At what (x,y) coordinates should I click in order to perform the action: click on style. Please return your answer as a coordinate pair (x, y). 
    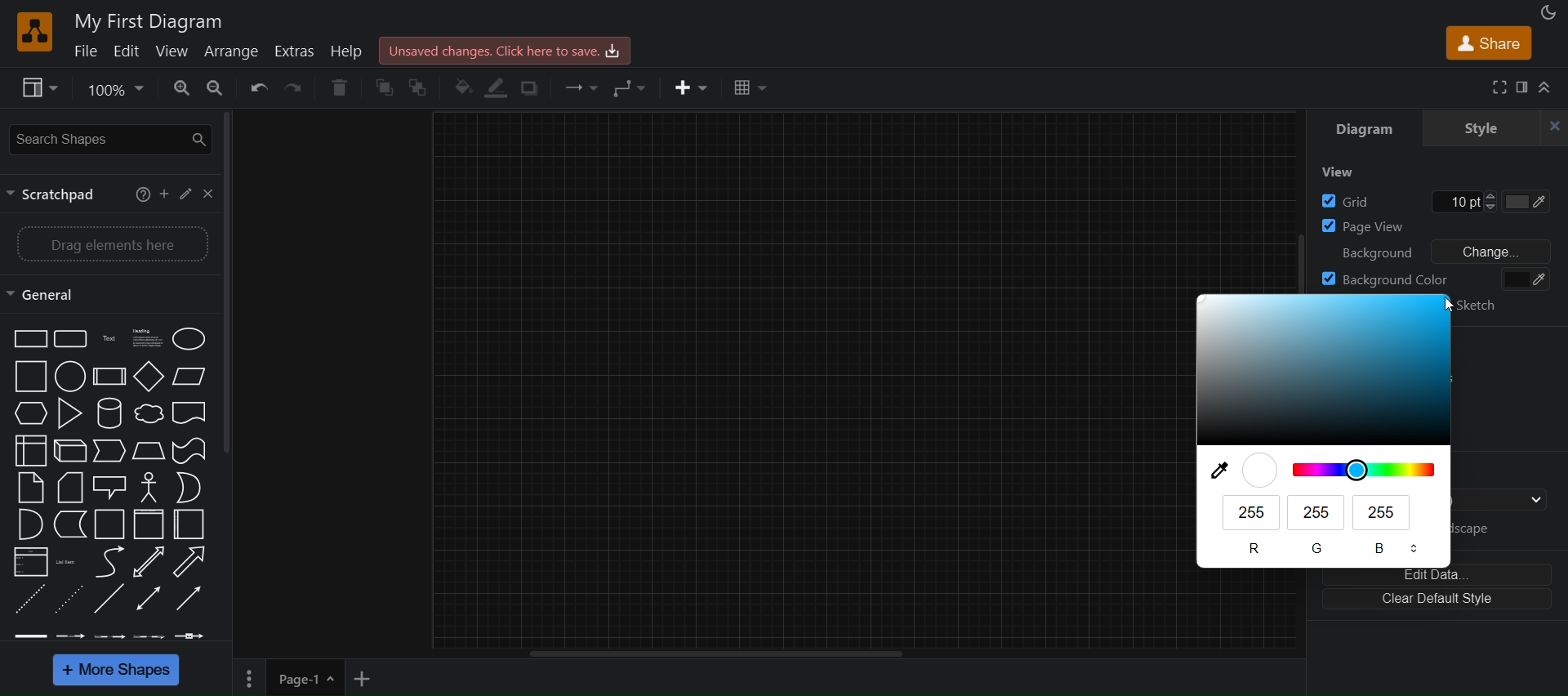
    Looking at the image, I should click on (1485, 128).